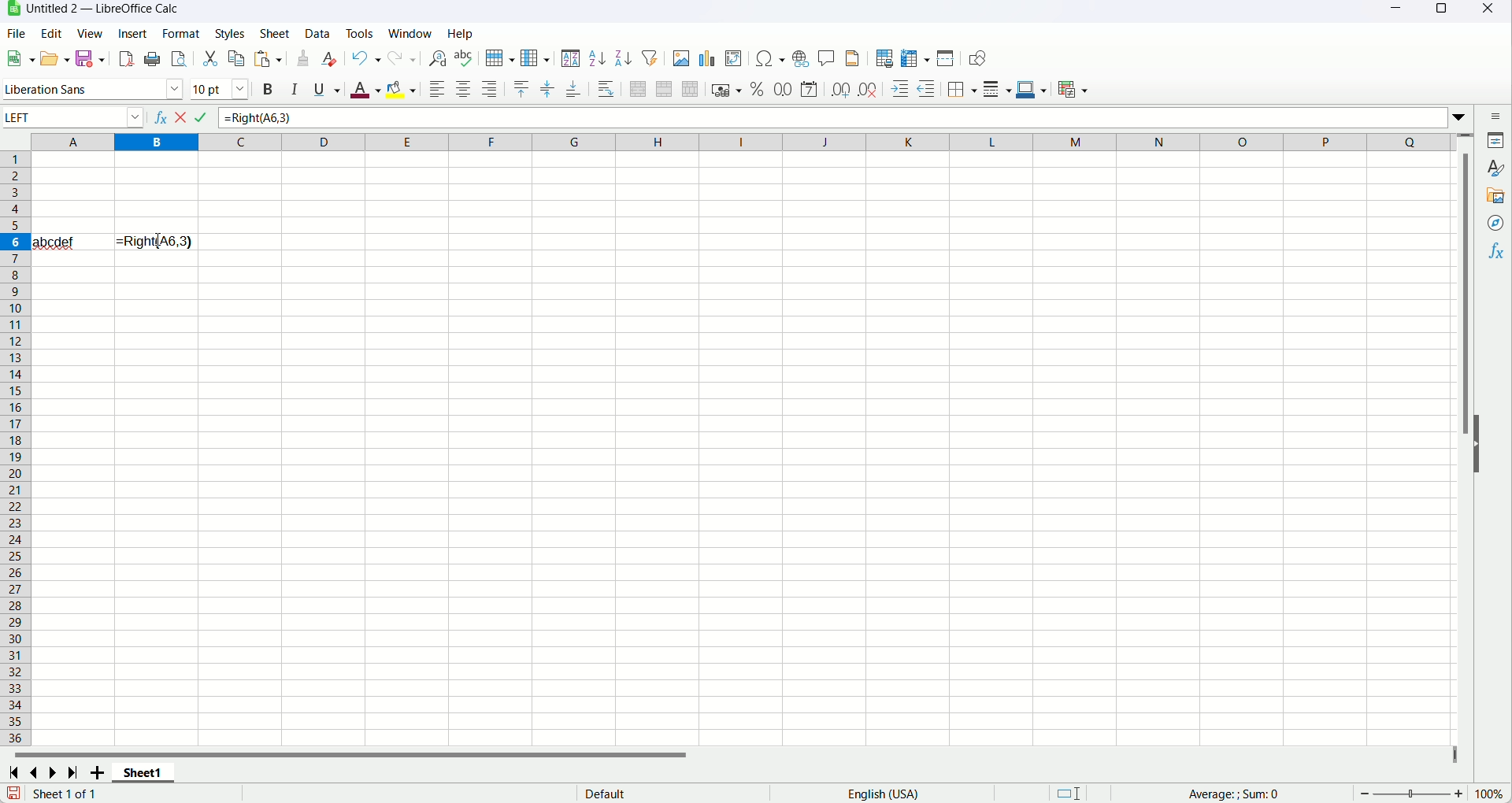  What do you see at coordinates (651, 58) in the screenshot?
I see `auto filter` at bounding box center [651, 58].